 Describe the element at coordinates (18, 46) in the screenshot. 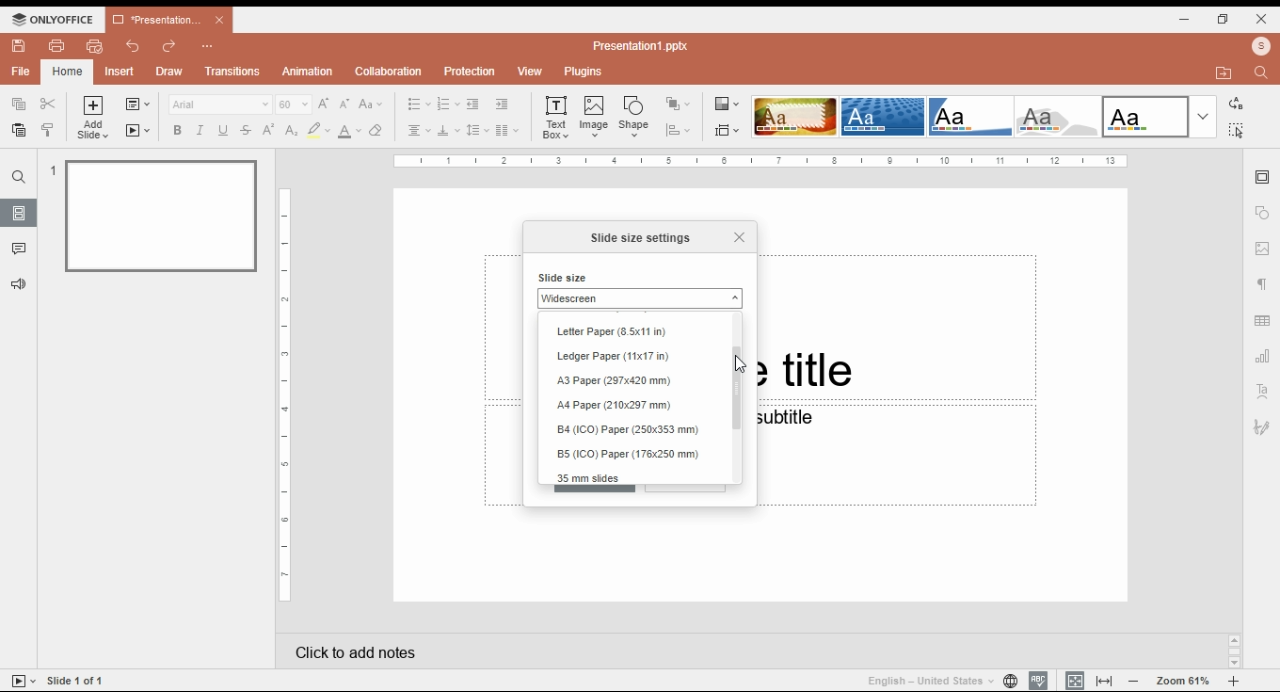

I see `save` at that location.